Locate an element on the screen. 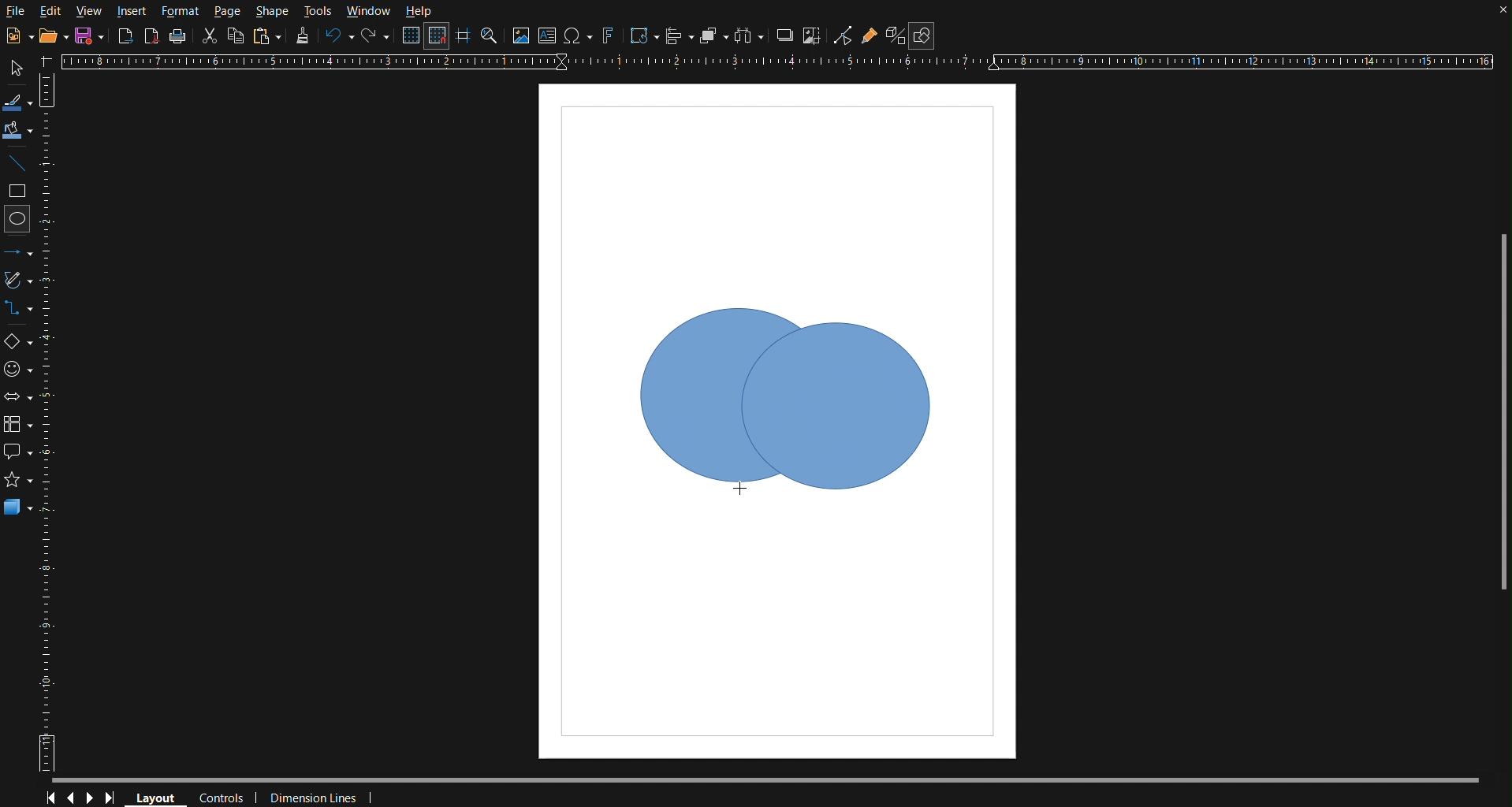 The image size is (1512, 807). Guidelines while moving is located at coordinates (464, 39).